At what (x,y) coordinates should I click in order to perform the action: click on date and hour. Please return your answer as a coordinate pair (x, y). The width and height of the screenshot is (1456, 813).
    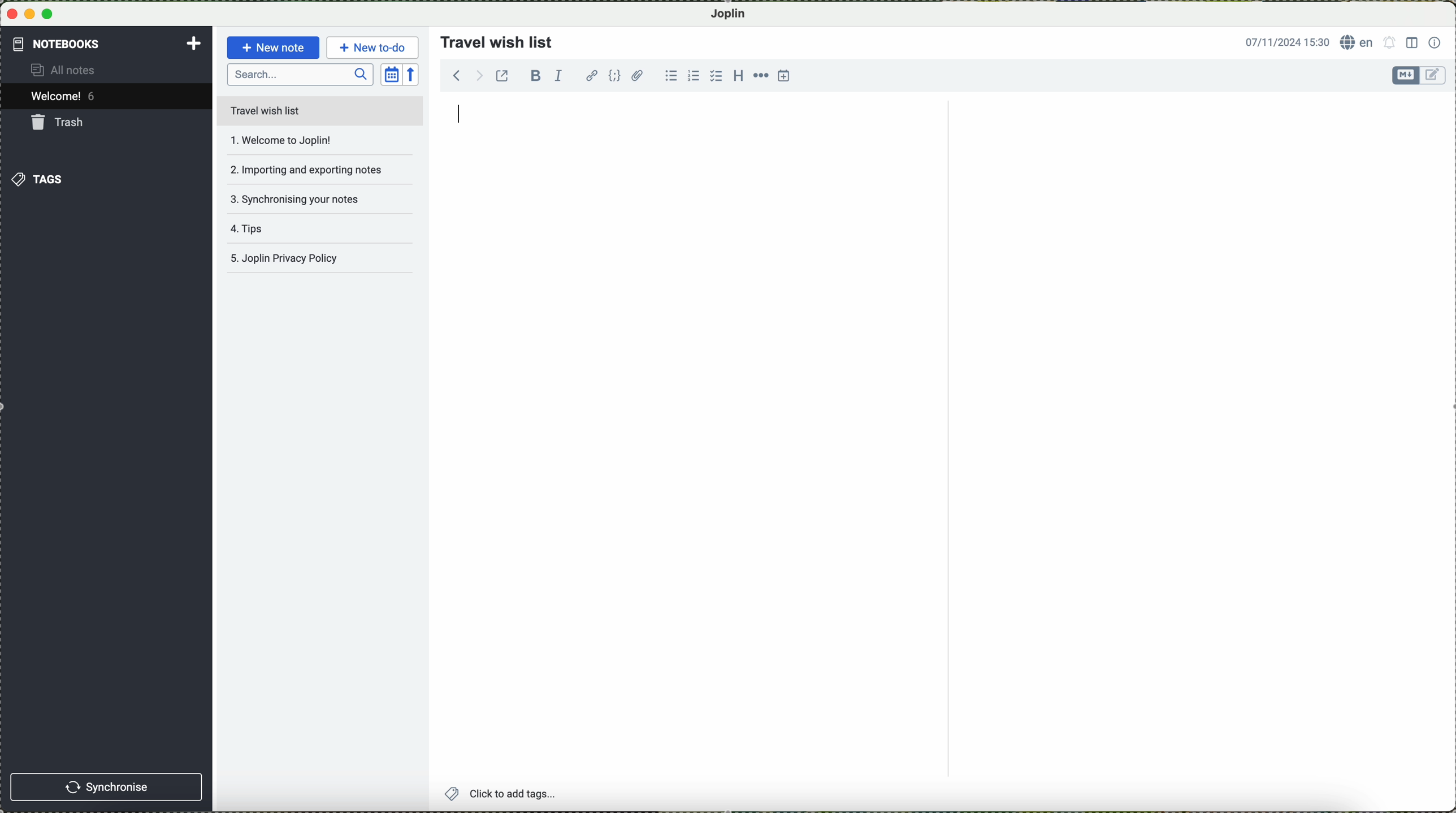
    Looking at the image, I should click on (1283, 41).